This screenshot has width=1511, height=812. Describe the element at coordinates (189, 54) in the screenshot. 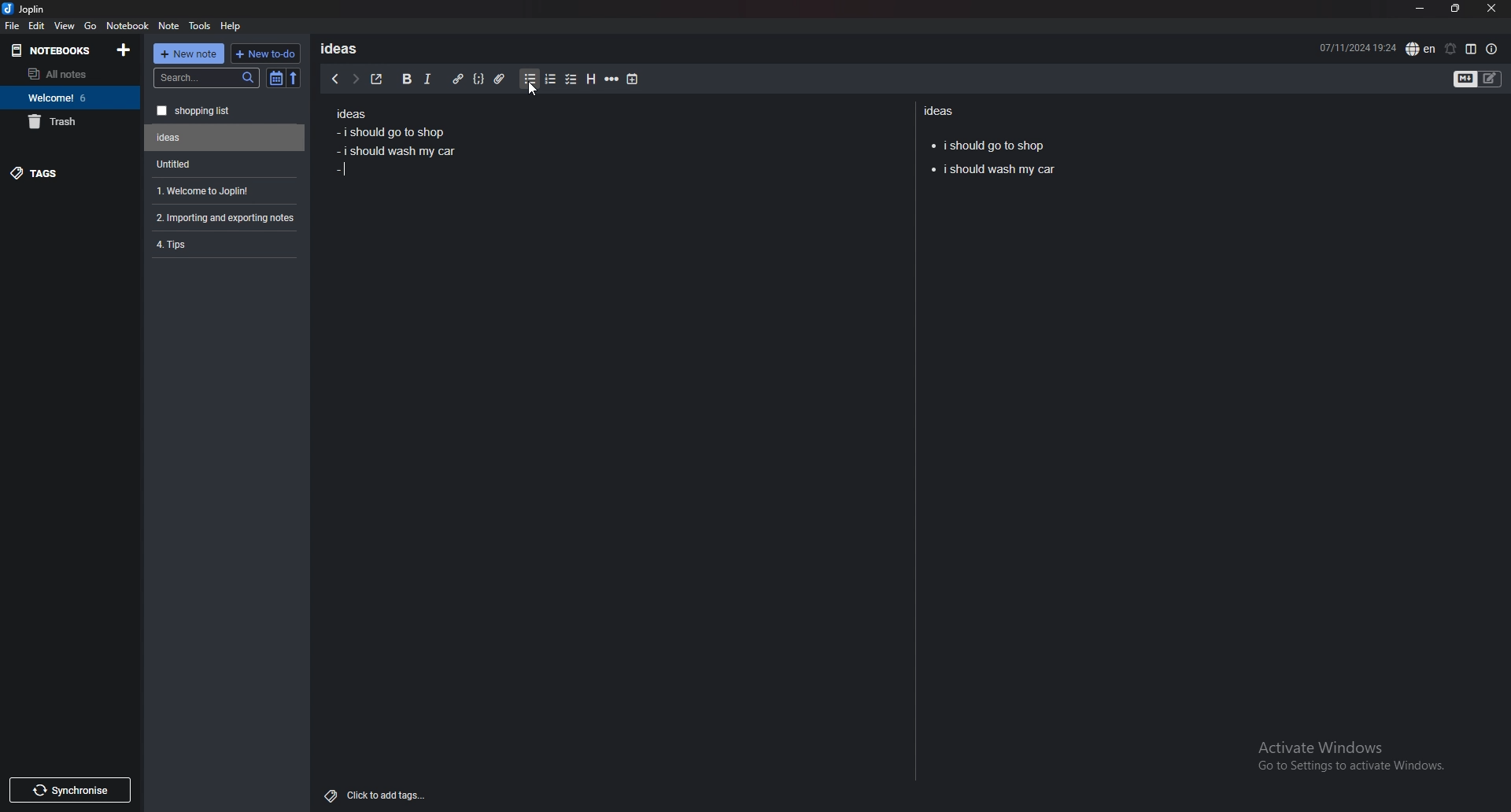

I see `new note` at that location.